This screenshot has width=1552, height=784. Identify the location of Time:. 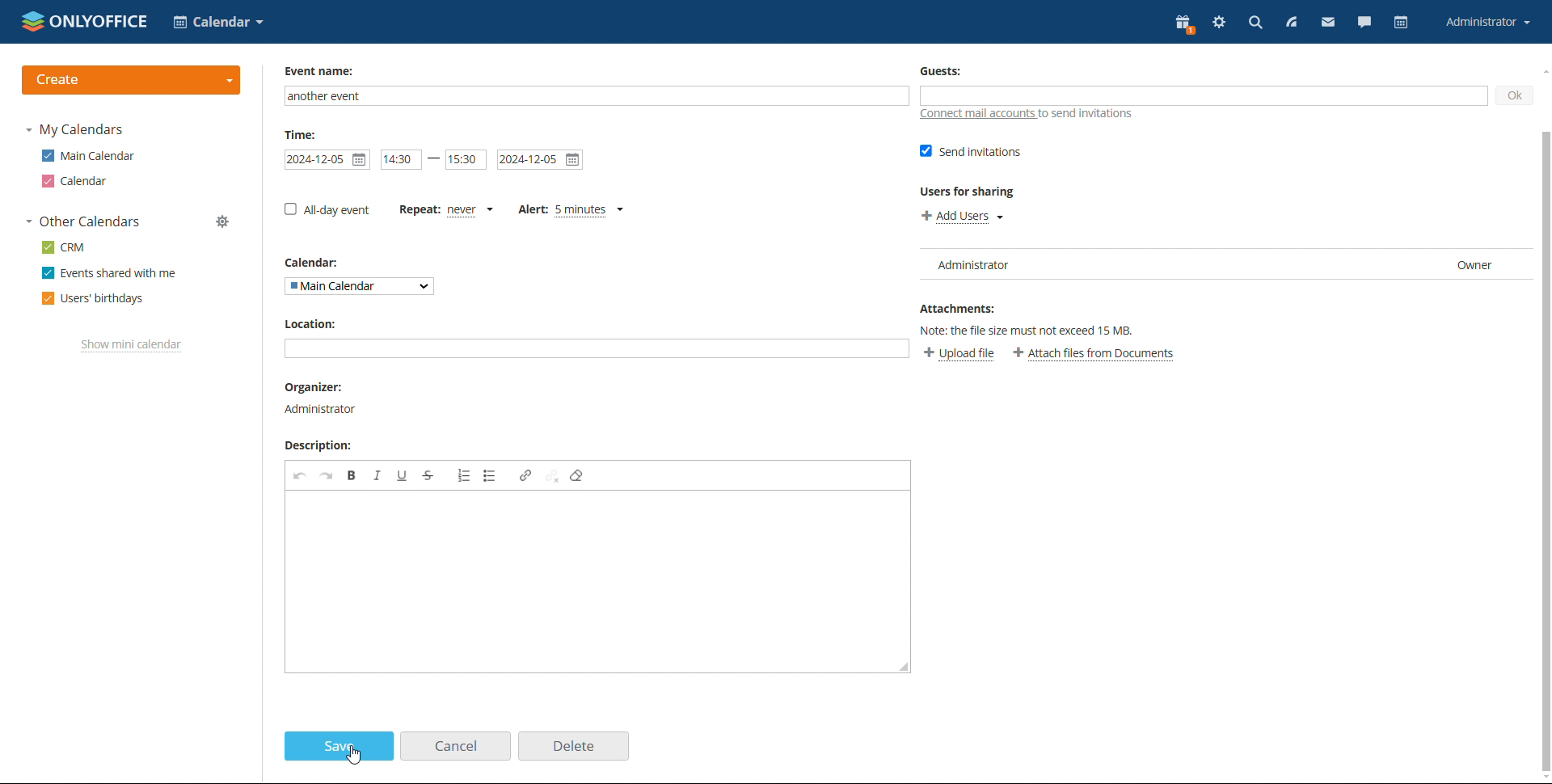
(303, 135).